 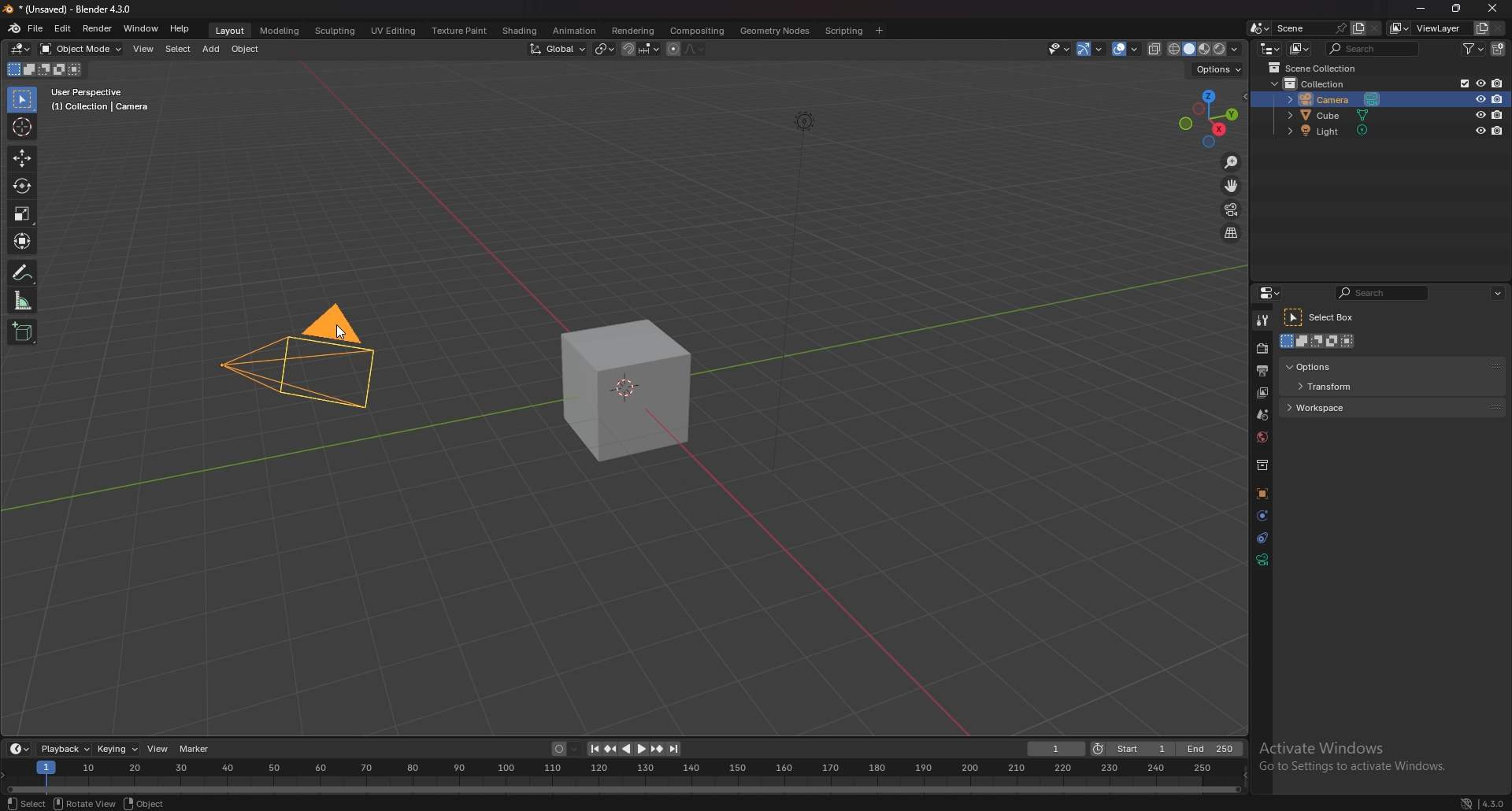 What do you see at coordinates (1381, 292) in the screenshot?
I see `search` at bounding box center [1381, 292].